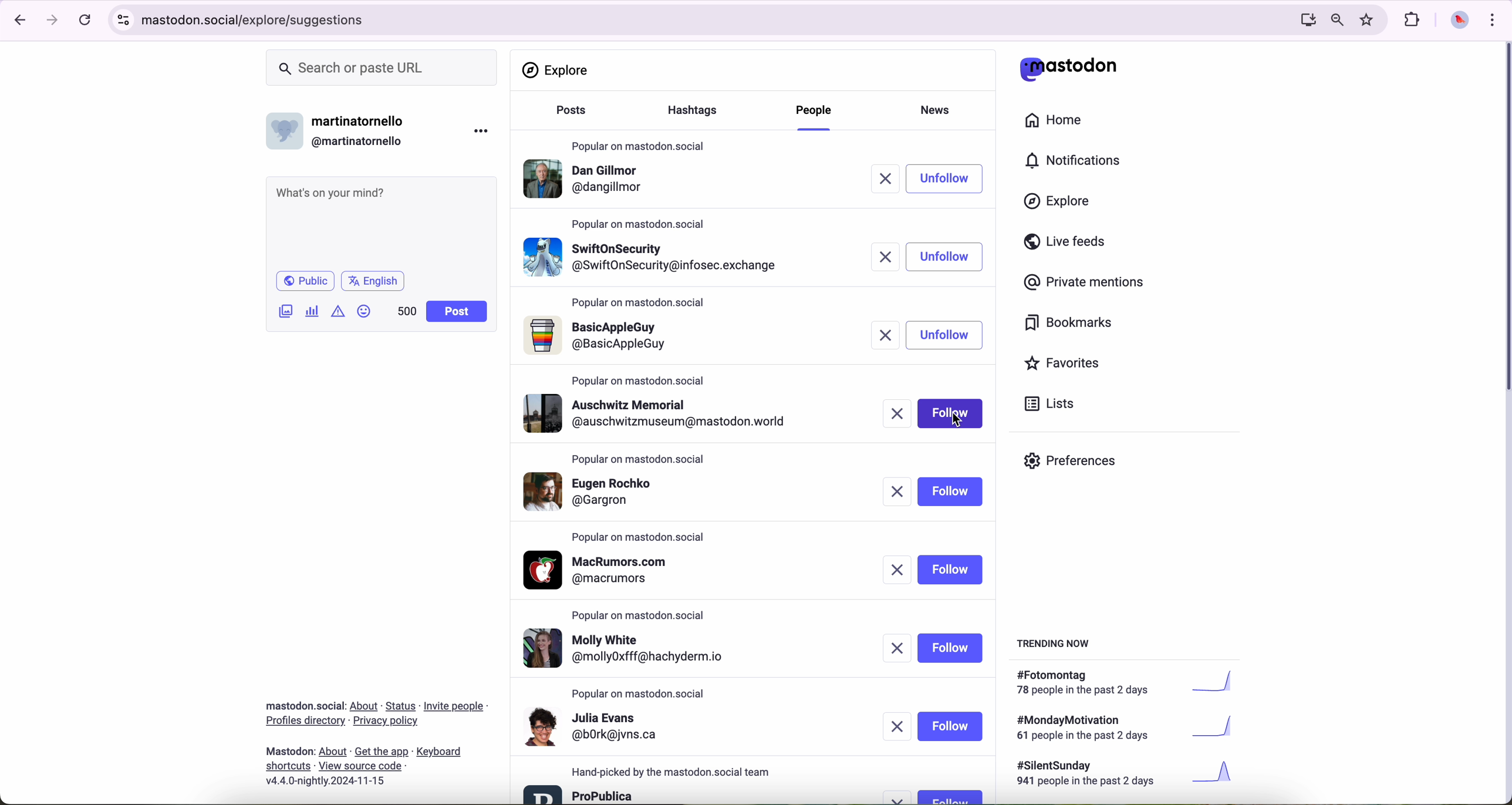  What do you see at coordinates (1491, 19) in the screenshot?
I see `customize and control Google Chrome` at bounding box center [1491, 19].